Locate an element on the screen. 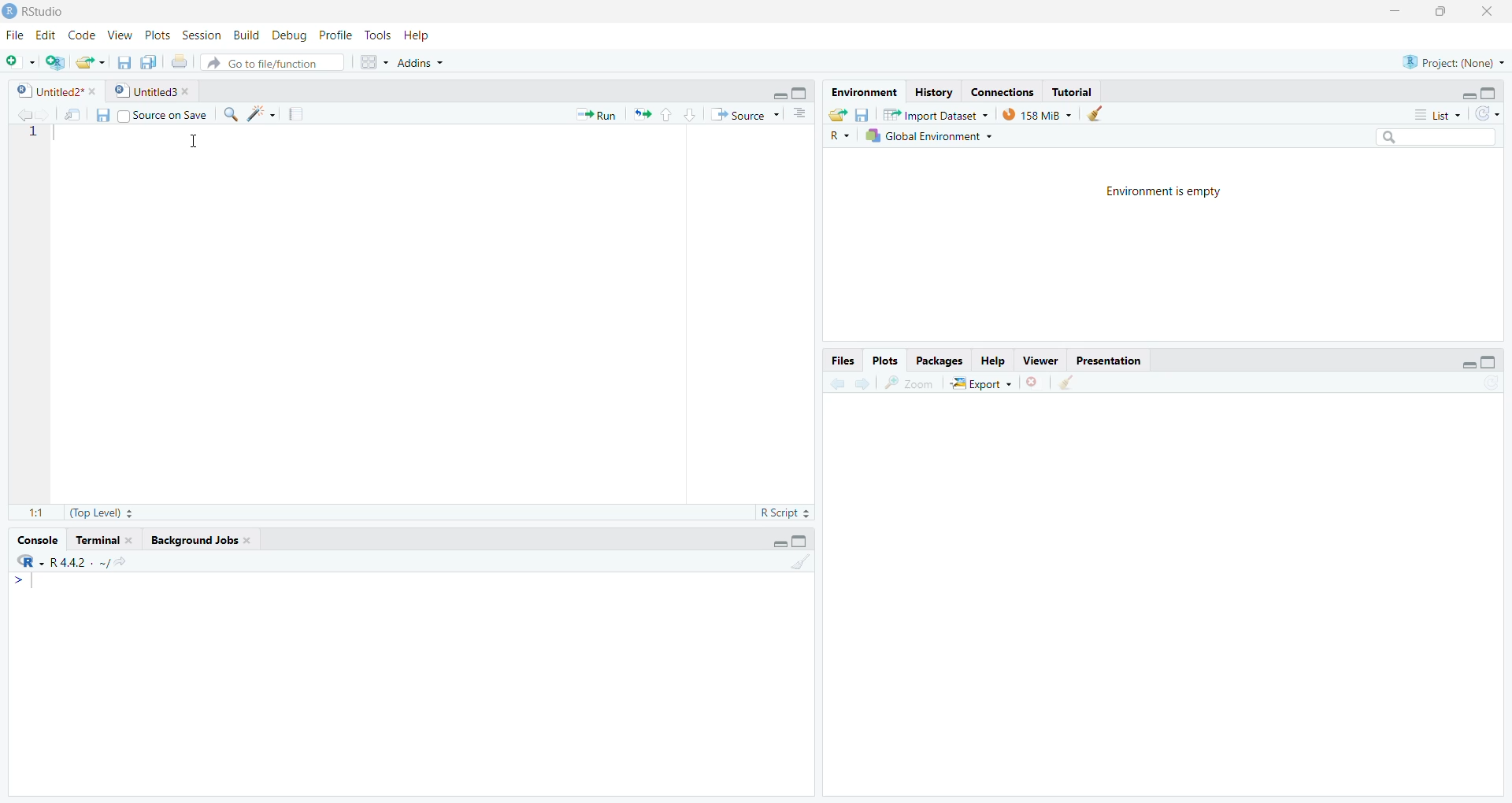 This screenshot has height=803, width=1512. find replace is located at coordinates (229, 113).